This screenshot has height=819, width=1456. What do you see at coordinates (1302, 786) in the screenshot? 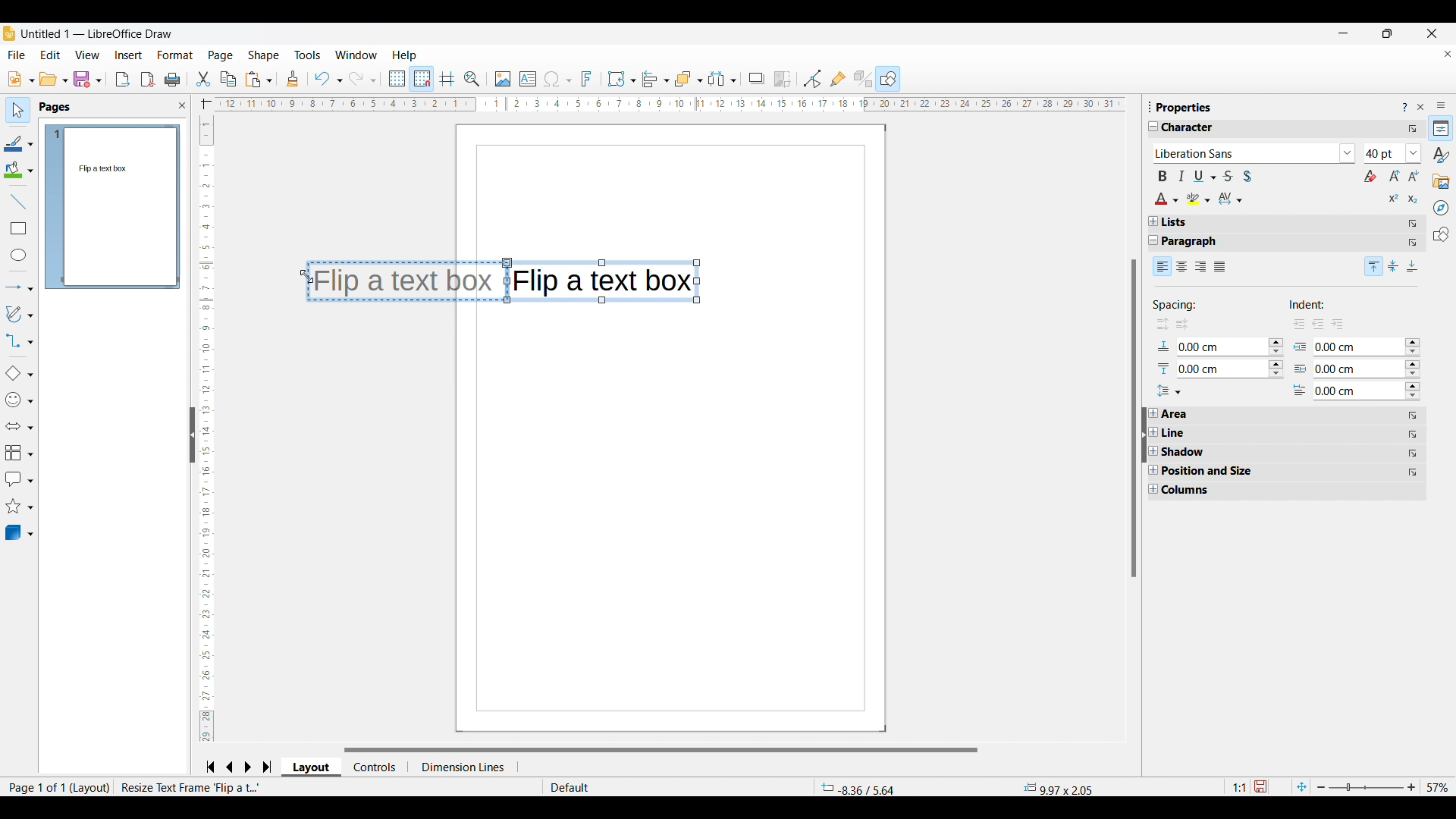
I see `Fit page to current window` at bounding box center [1302, 786].